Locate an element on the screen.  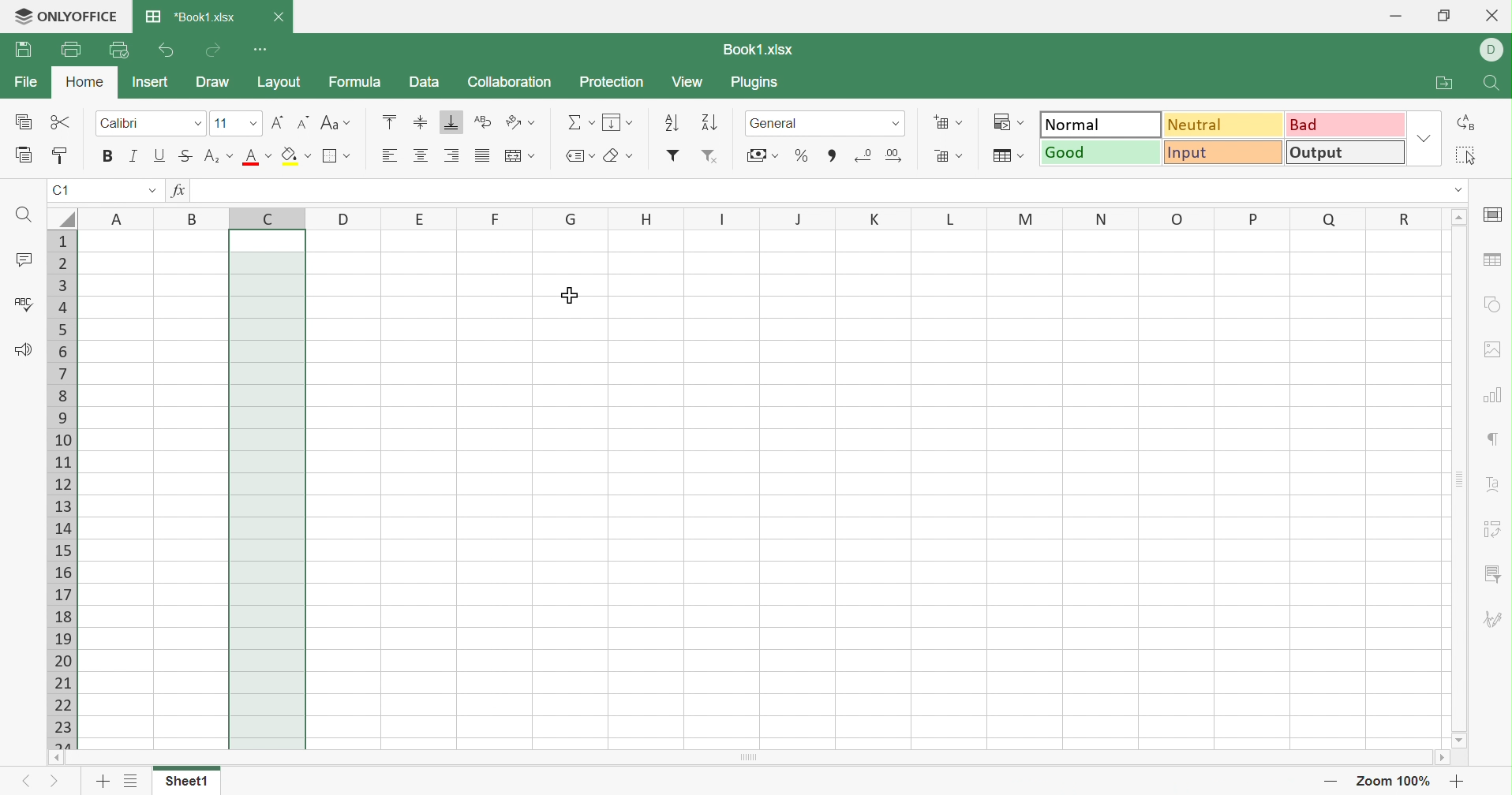
Chart settings is located at coordinates (1494, 394).